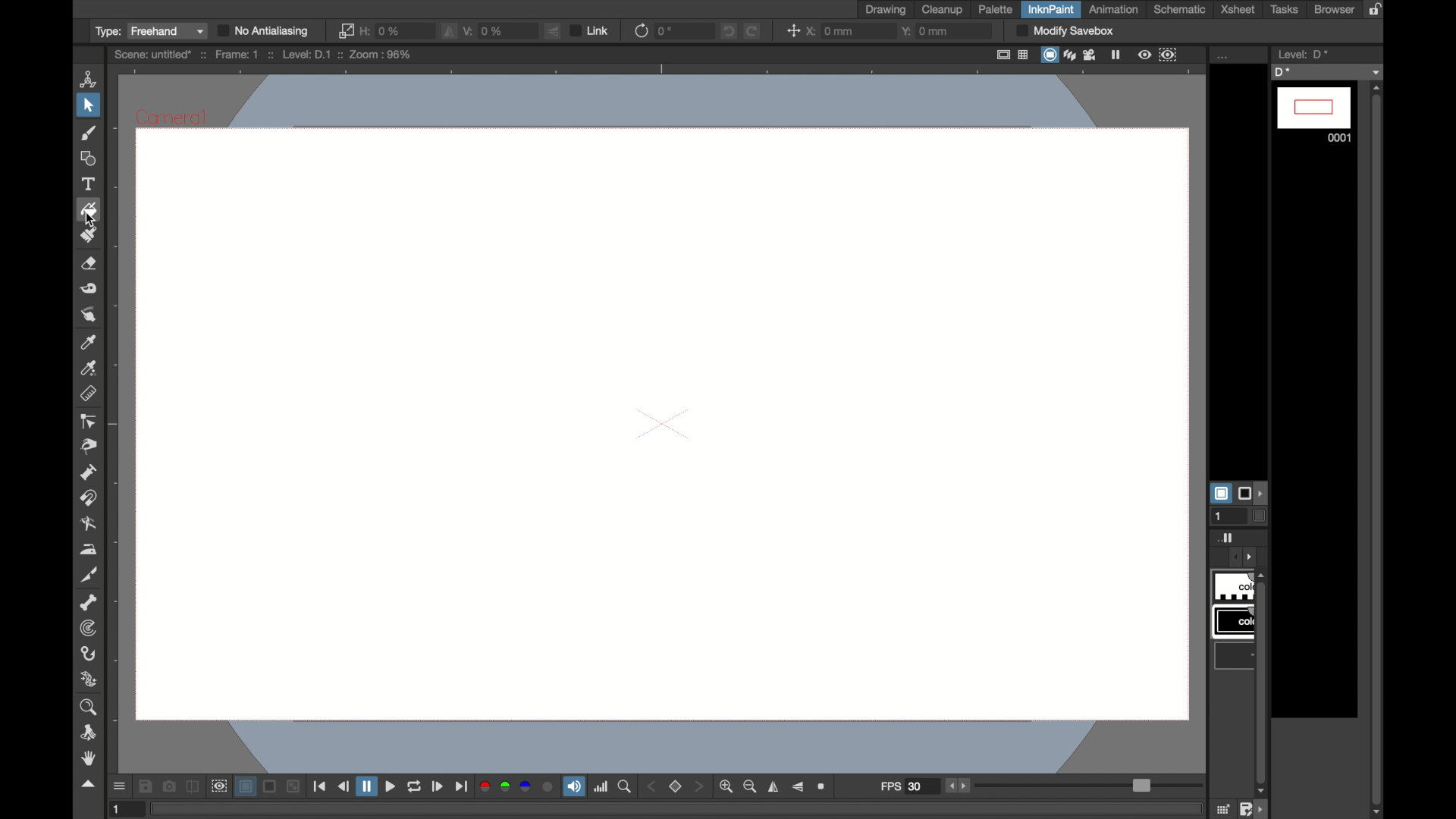  What do you see at coordinates (265, 31) in the screenshot?
I see `no antialiasing` at bounding box center [265, 31].